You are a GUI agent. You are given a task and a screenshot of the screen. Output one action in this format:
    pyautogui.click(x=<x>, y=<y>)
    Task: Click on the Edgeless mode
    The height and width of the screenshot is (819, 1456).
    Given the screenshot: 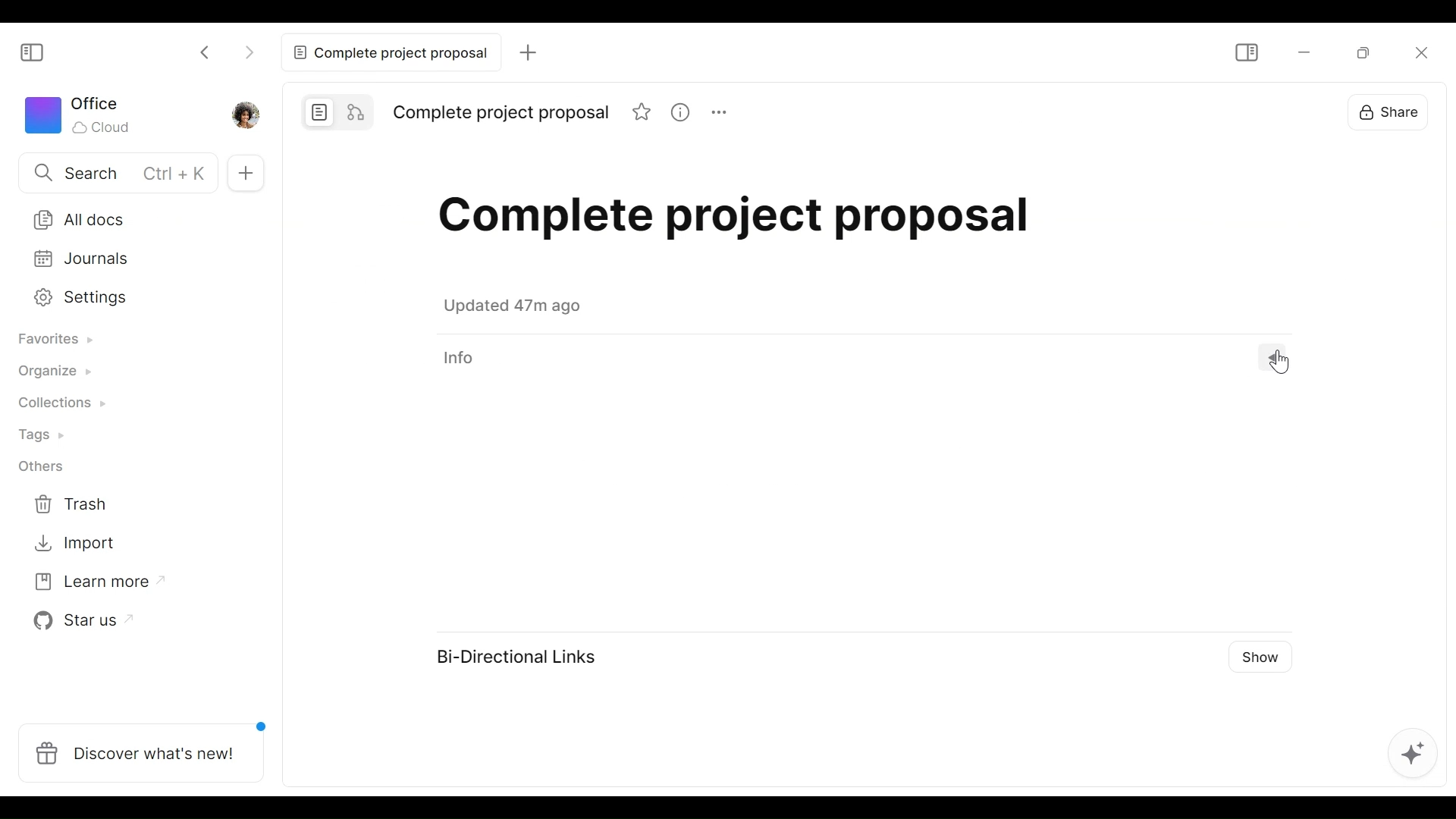 What is the action you would take?
    pyautogui.click(x=356, y=110)
    